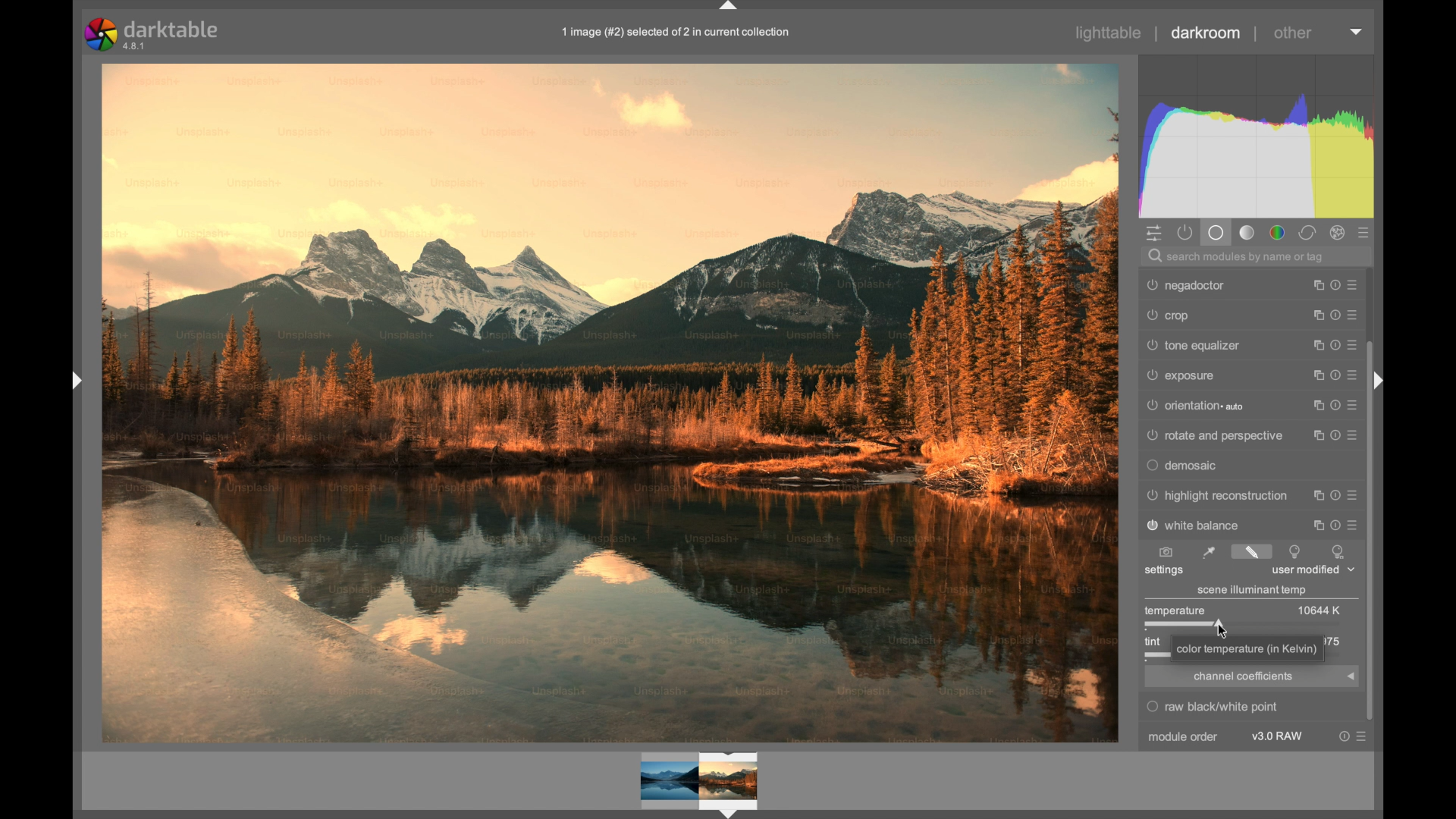  Describe the element at coordinates (1315, 341) in the screenshot. I see `instance` at that location.